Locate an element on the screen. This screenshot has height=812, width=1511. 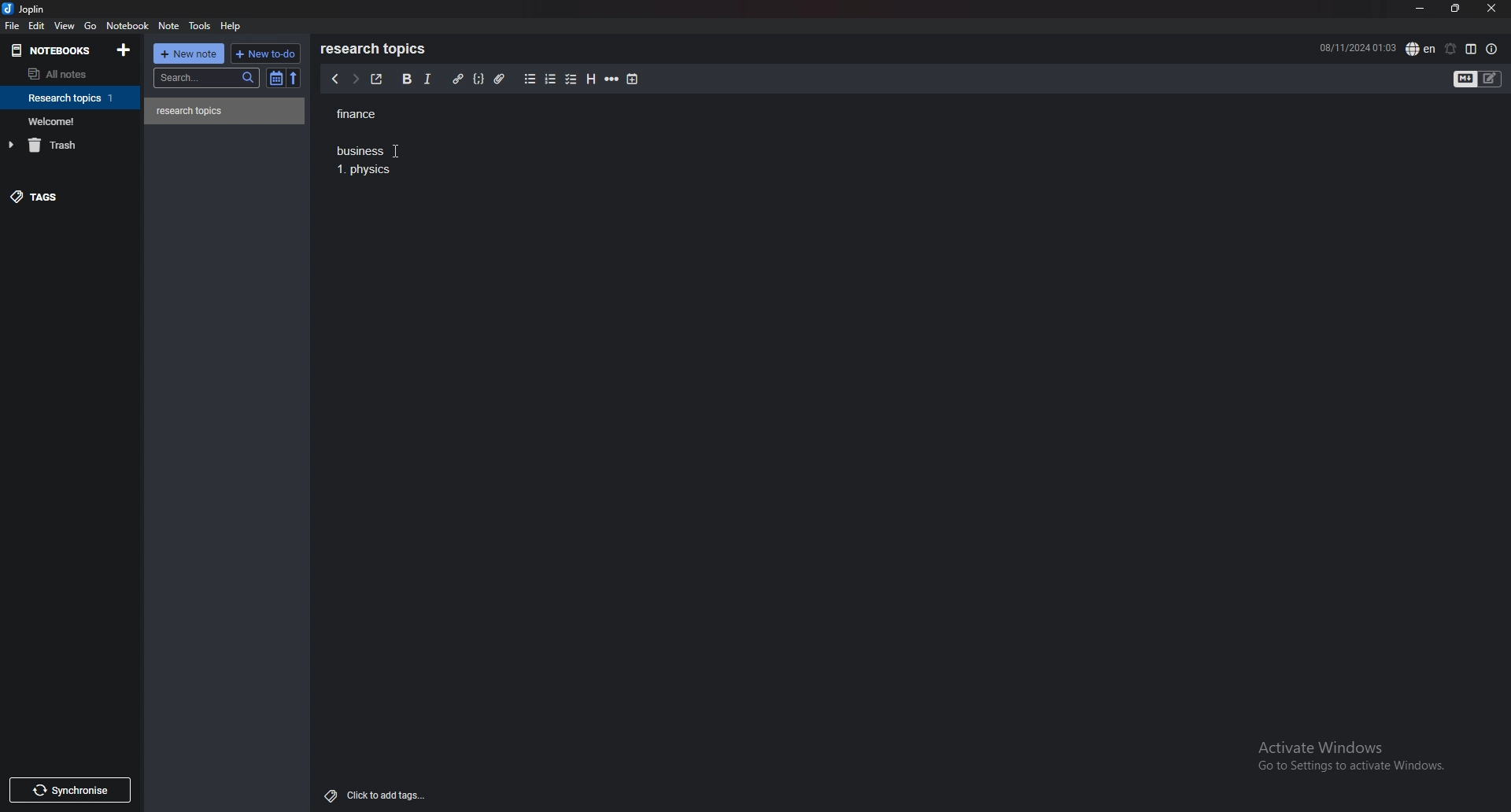
new note is located at coordinates (190, 53).